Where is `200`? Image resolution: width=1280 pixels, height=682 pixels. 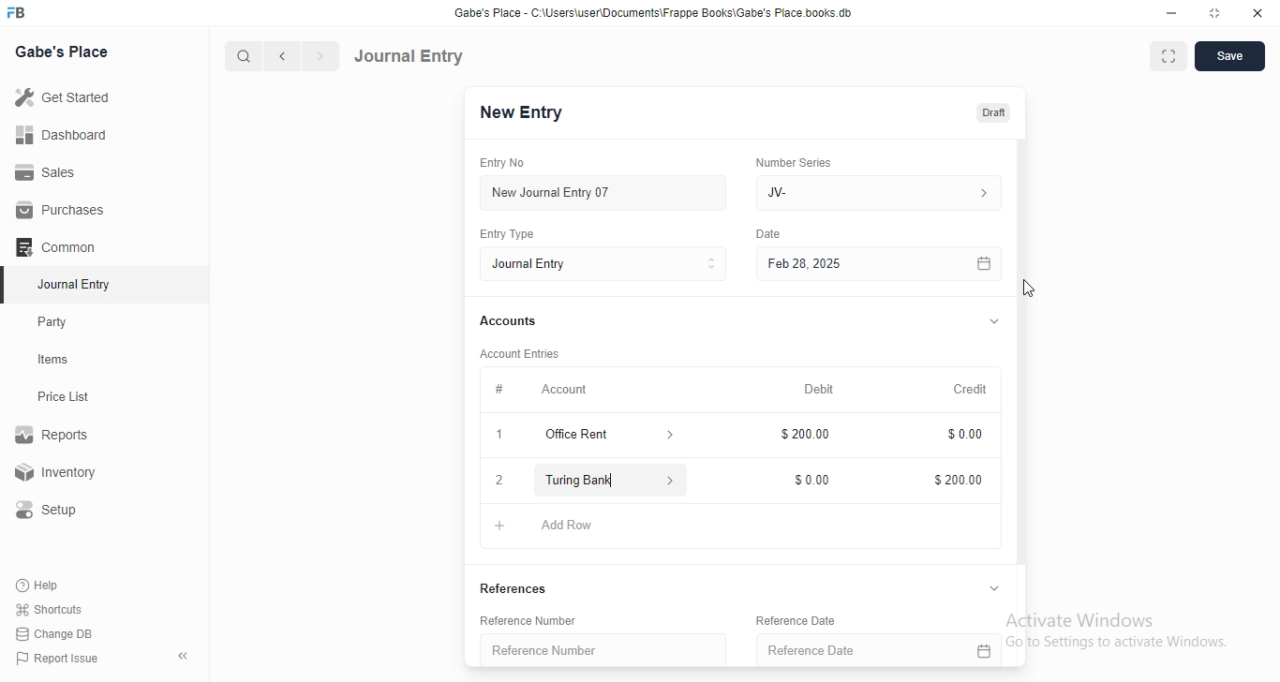
200 is located at coordinates (805, 435).